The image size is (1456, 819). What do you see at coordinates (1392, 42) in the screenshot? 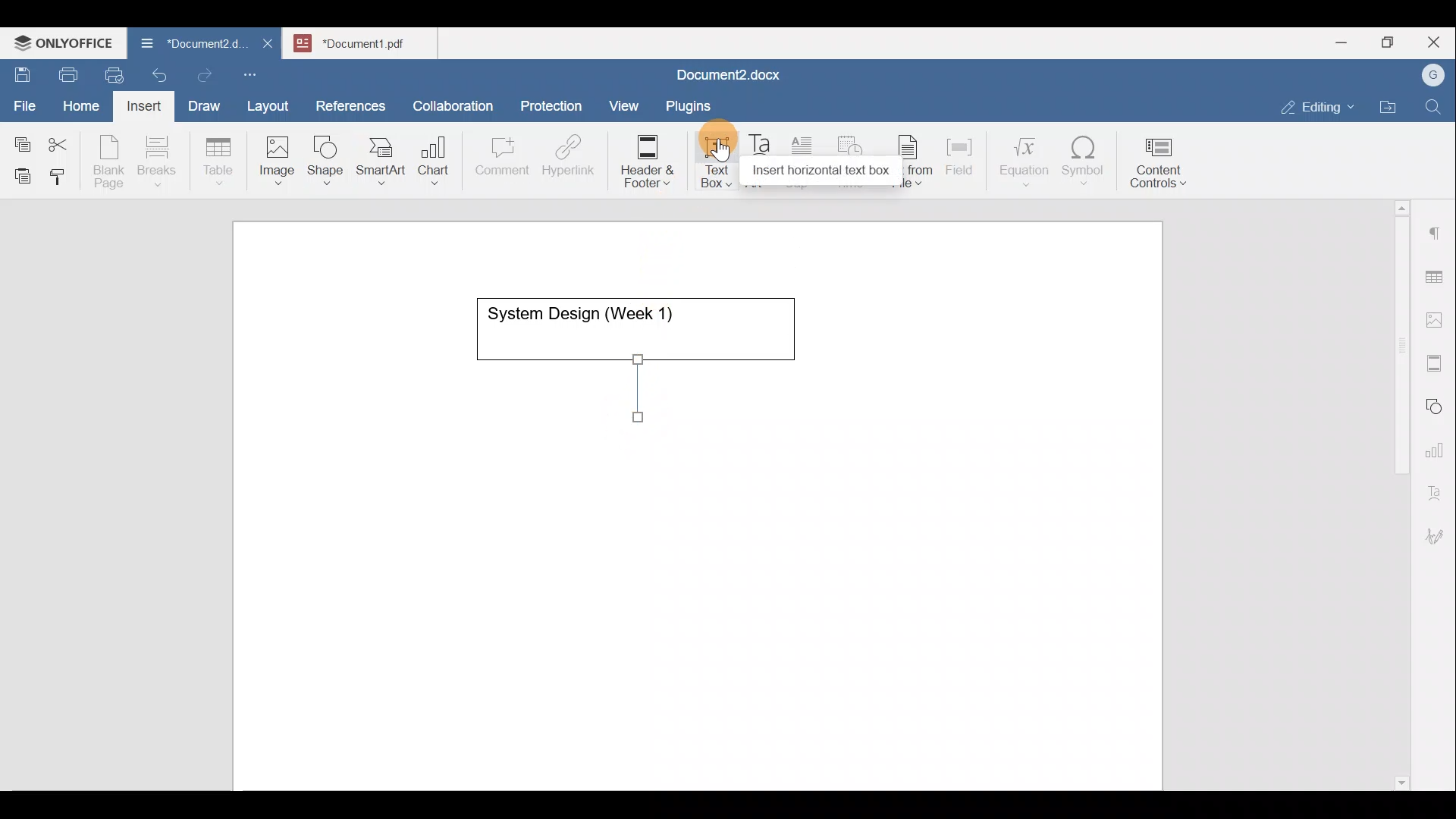
I see `Maximize` at bounding box center [1392, 42].